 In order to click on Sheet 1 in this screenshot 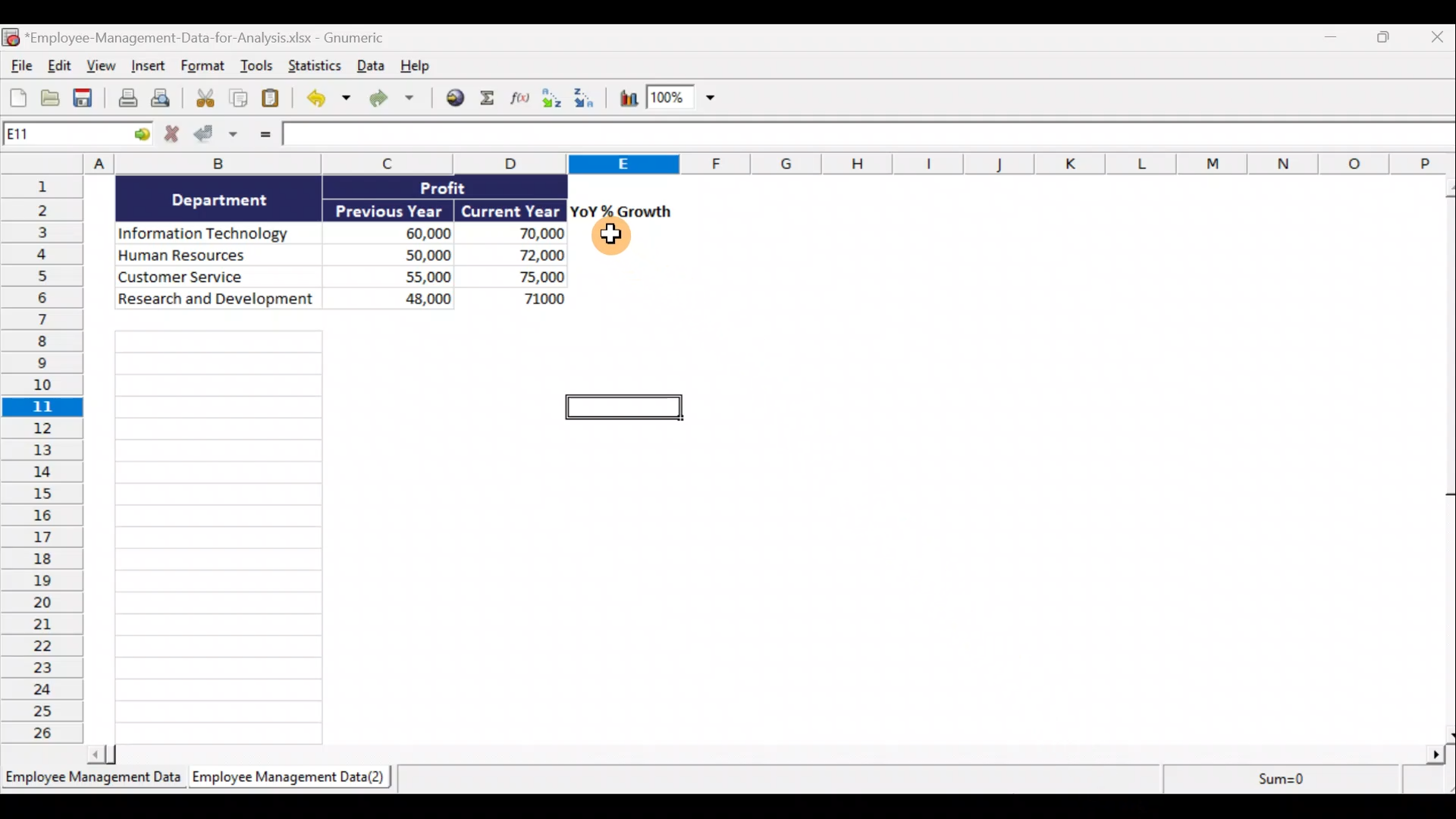, I will do `click(91, 778)`.